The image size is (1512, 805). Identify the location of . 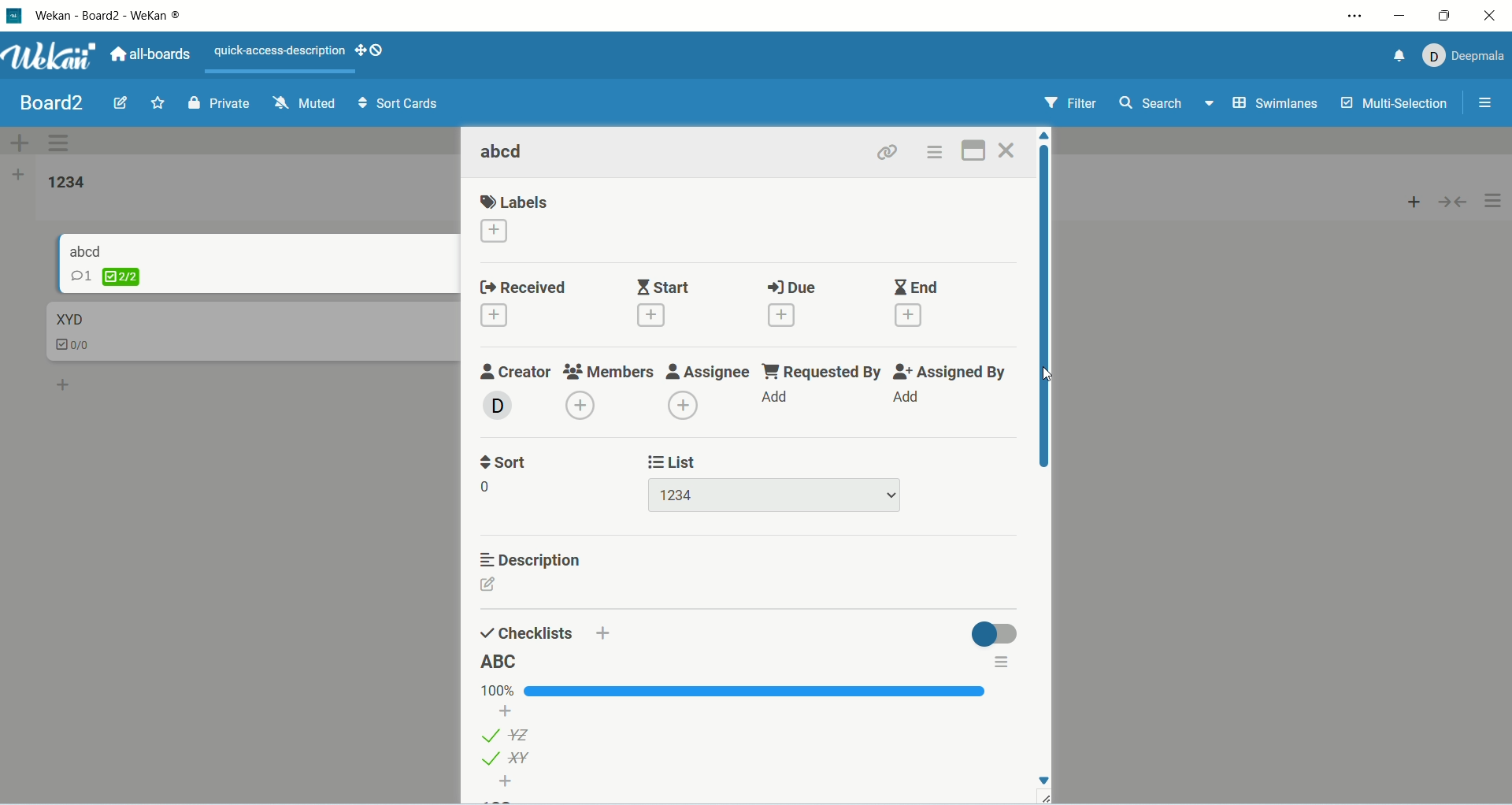
(484, 486).